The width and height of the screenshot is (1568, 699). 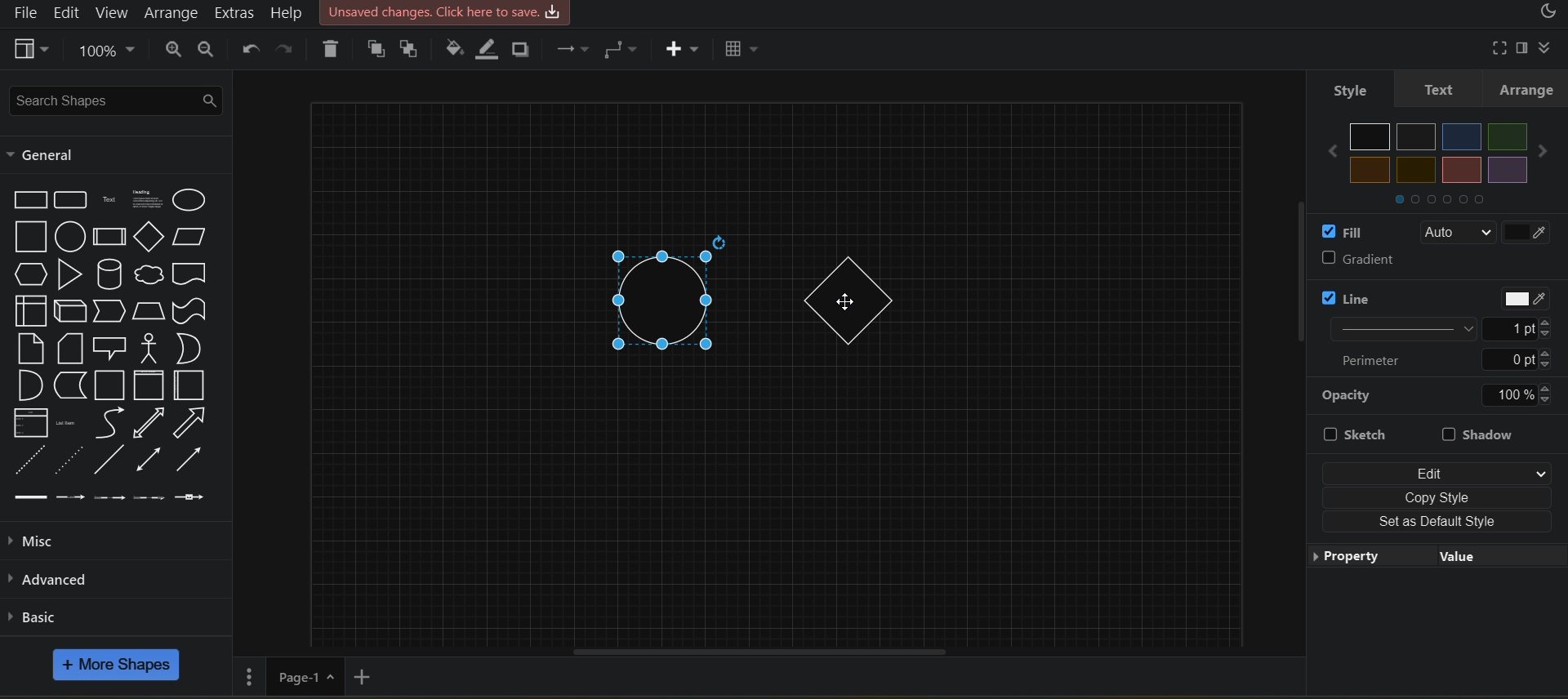 I want to click on edit, so click(x=70, y=12).